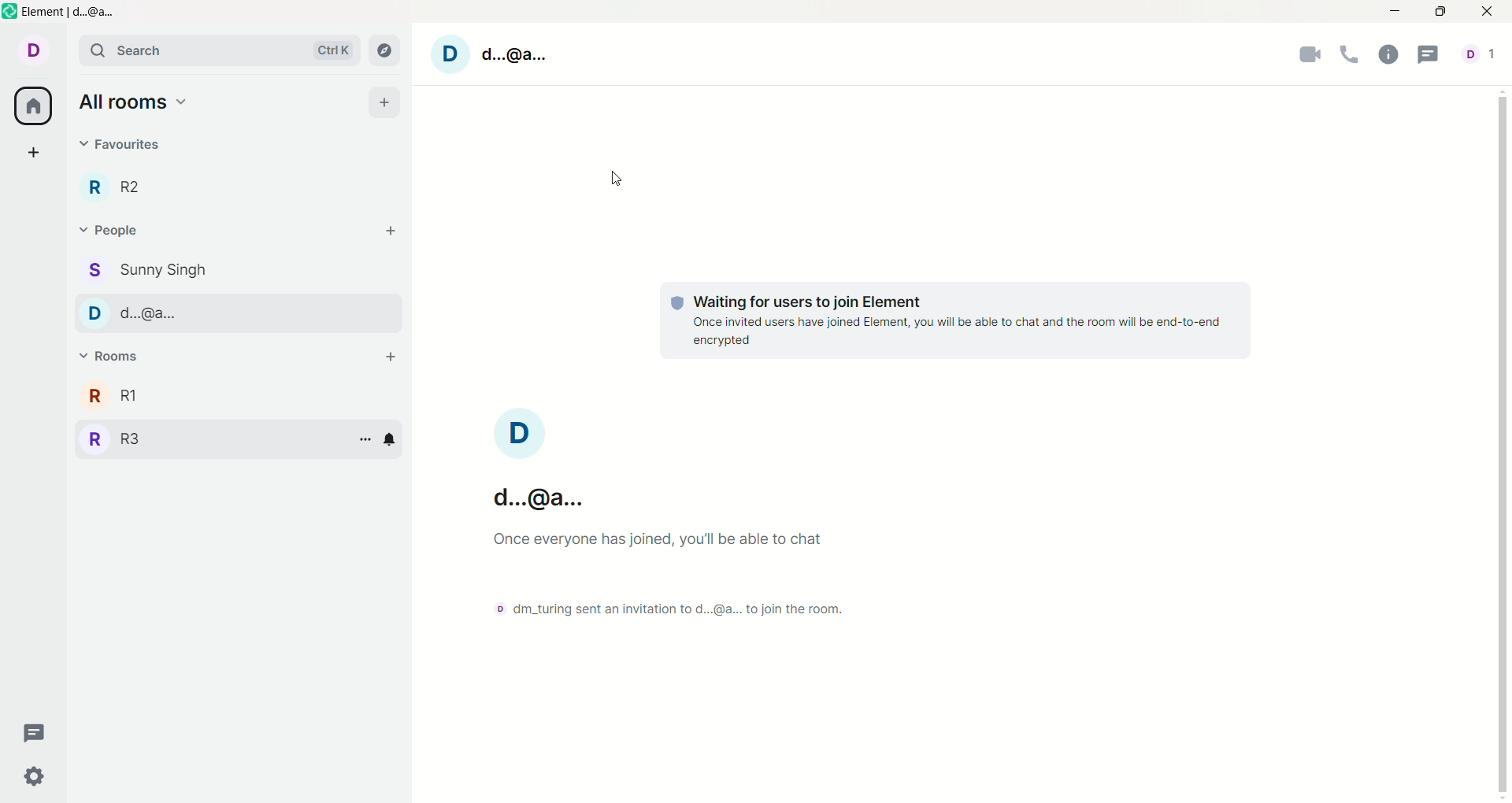 The image size is (1512, 803). I want to click on minimize, so click(1396, 9).